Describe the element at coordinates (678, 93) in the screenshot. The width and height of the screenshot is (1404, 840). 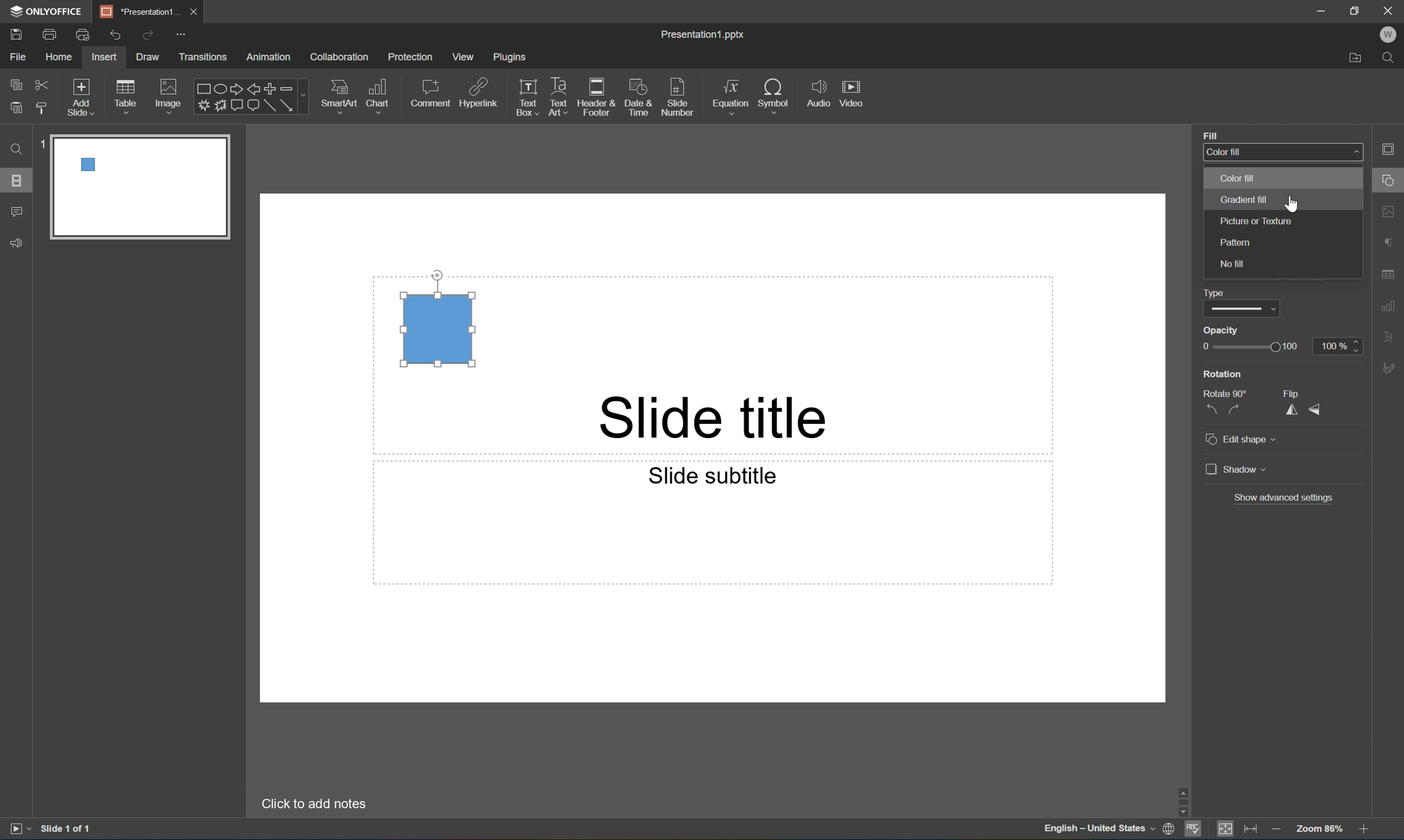
I see `Slide number` at that location.